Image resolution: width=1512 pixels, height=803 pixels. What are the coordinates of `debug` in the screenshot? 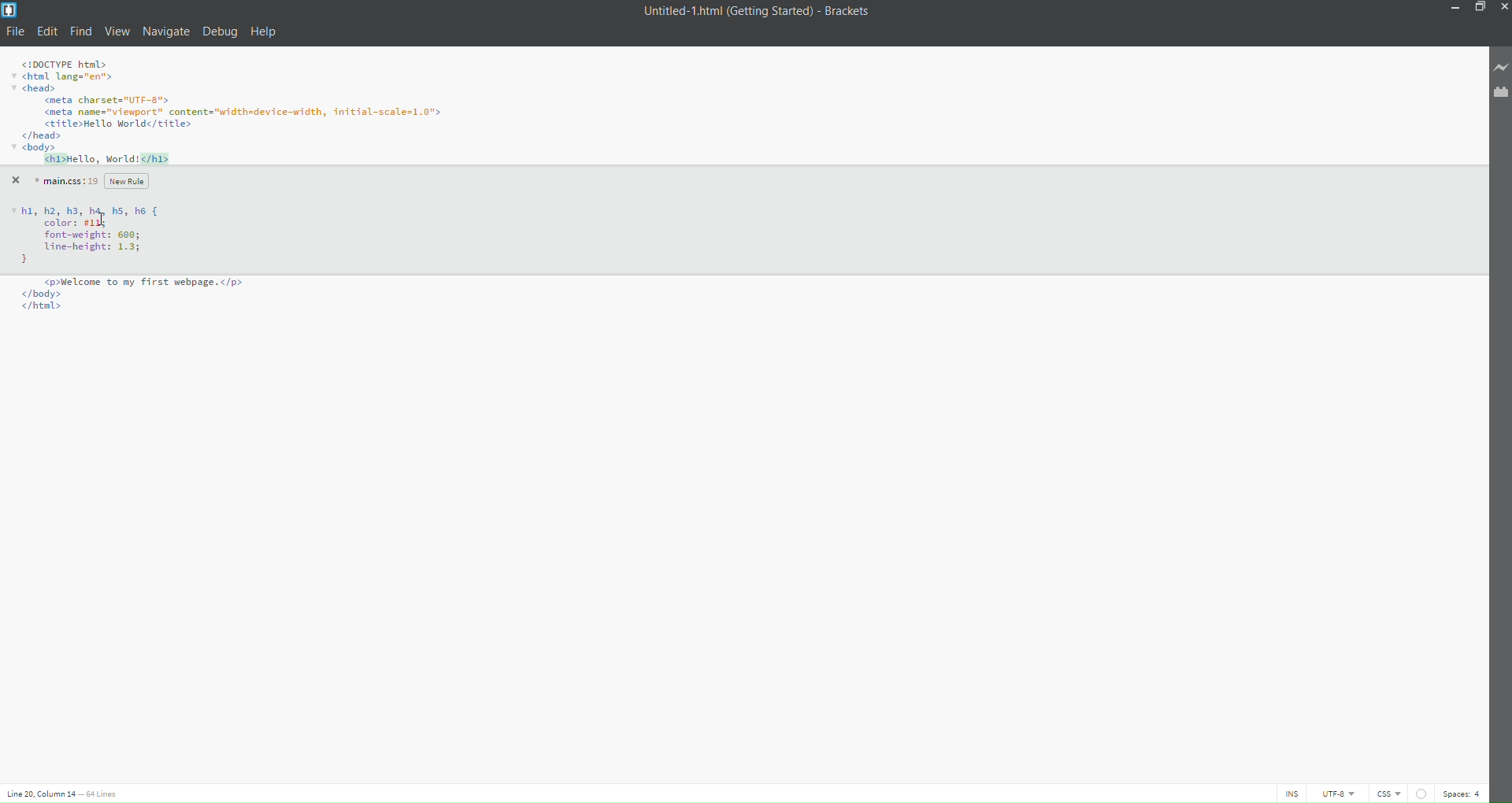 It's located at (219, 35).